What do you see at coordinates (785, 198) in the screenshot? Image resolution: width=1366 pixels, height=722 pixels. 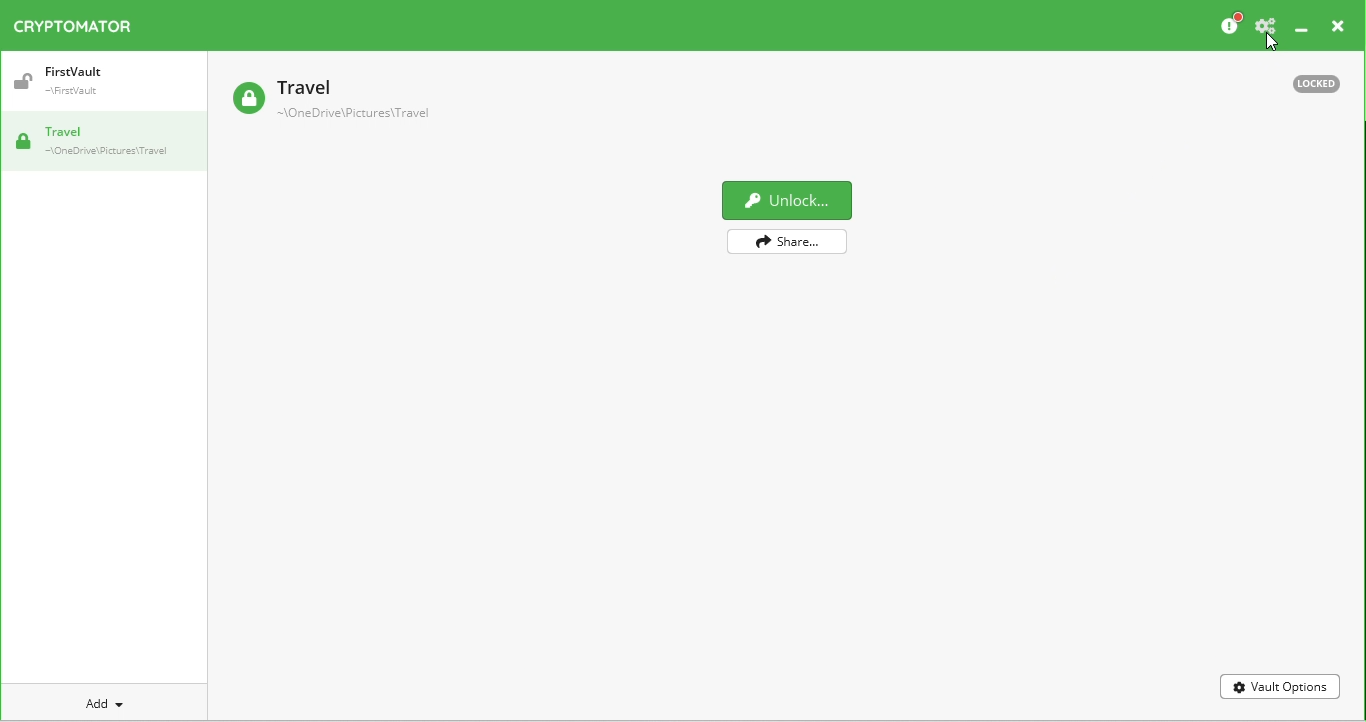 I see `Unlock vault` at bounding box center [785, 198].